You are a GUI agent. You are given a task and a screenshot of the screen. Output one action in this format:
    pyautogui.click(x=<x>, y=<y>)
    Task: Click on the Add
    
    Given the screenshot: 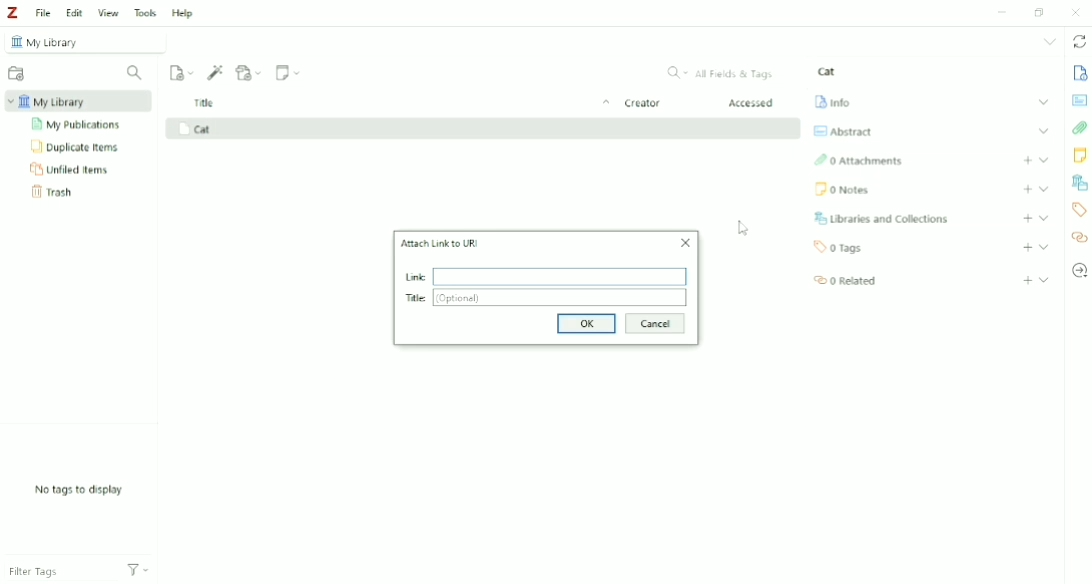 What is the action you would take?
    pyautogui.click(x=1027, y=189)
    